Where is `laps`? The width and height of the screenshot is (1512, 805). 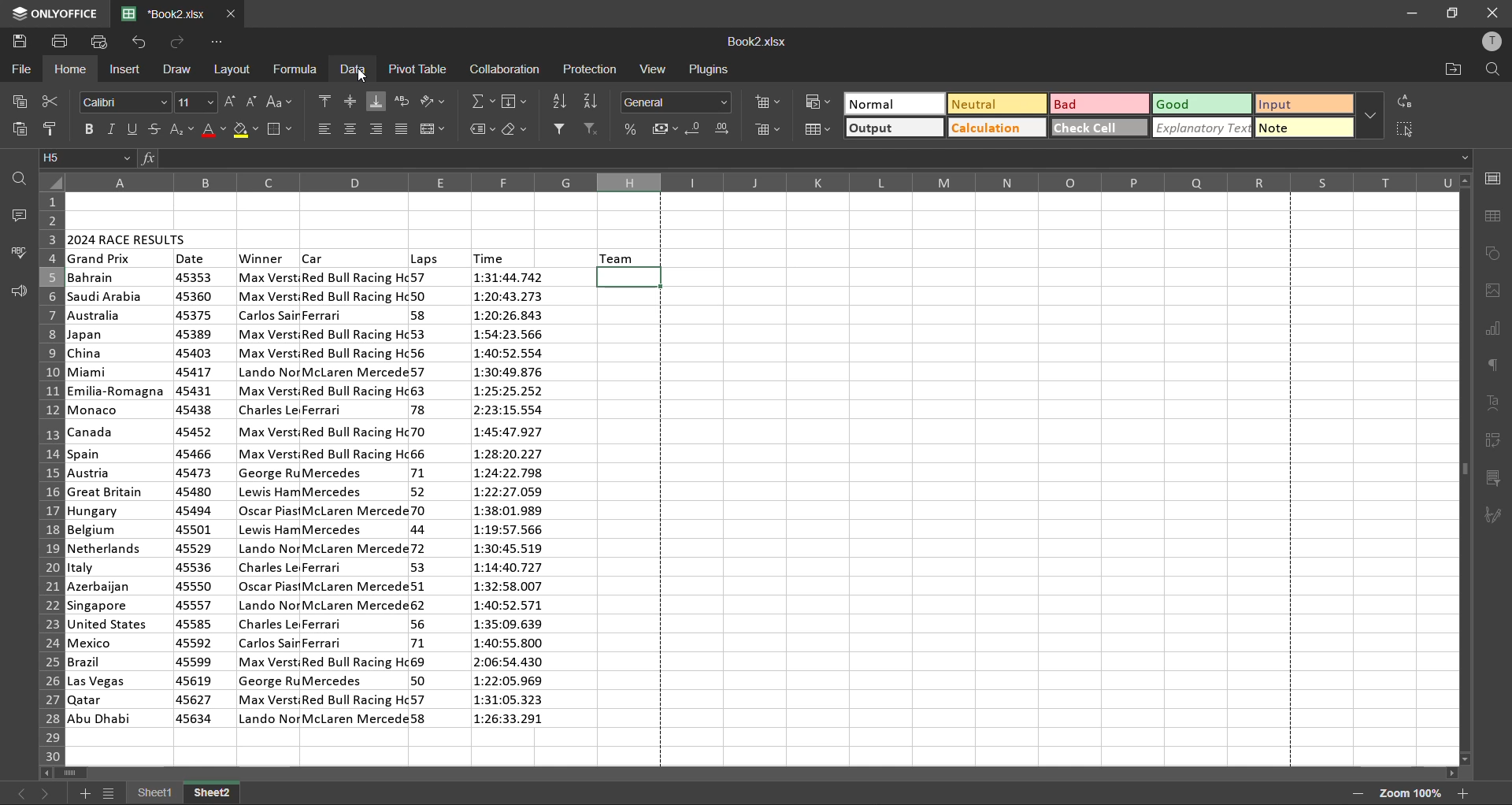
laps is located at coordinates (422, 500).